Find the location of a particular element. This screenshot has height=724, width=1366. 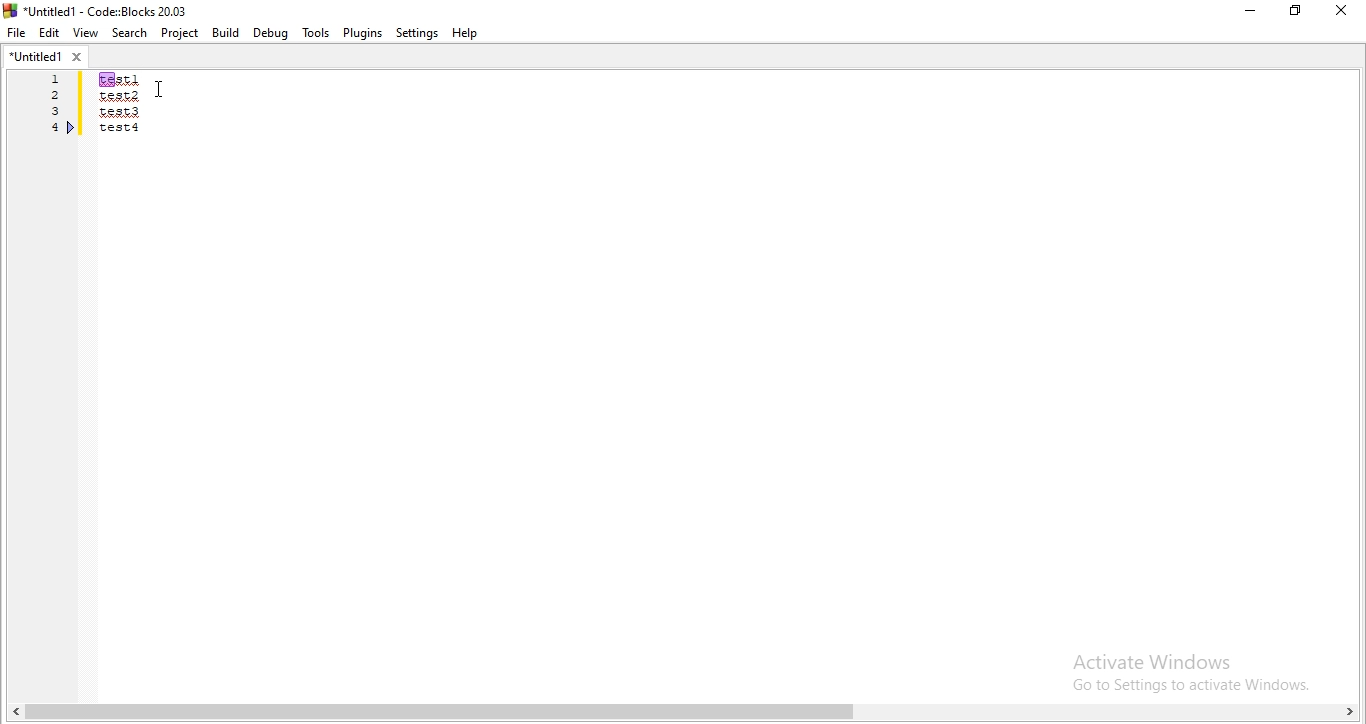

scroll bar is located at coordinates (683, 711).